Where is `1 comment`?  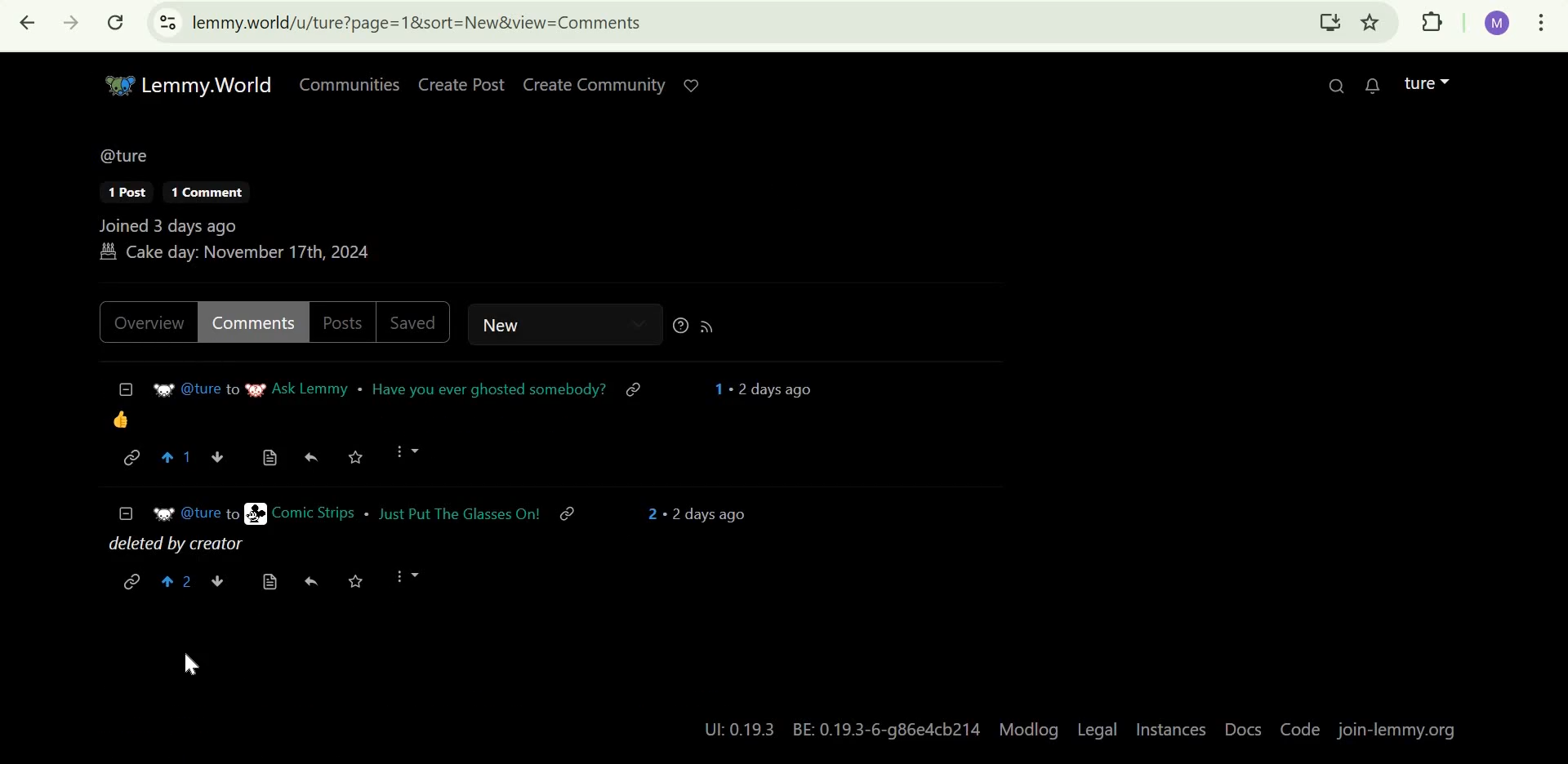 1 comment is located at coordinates (197, 193).